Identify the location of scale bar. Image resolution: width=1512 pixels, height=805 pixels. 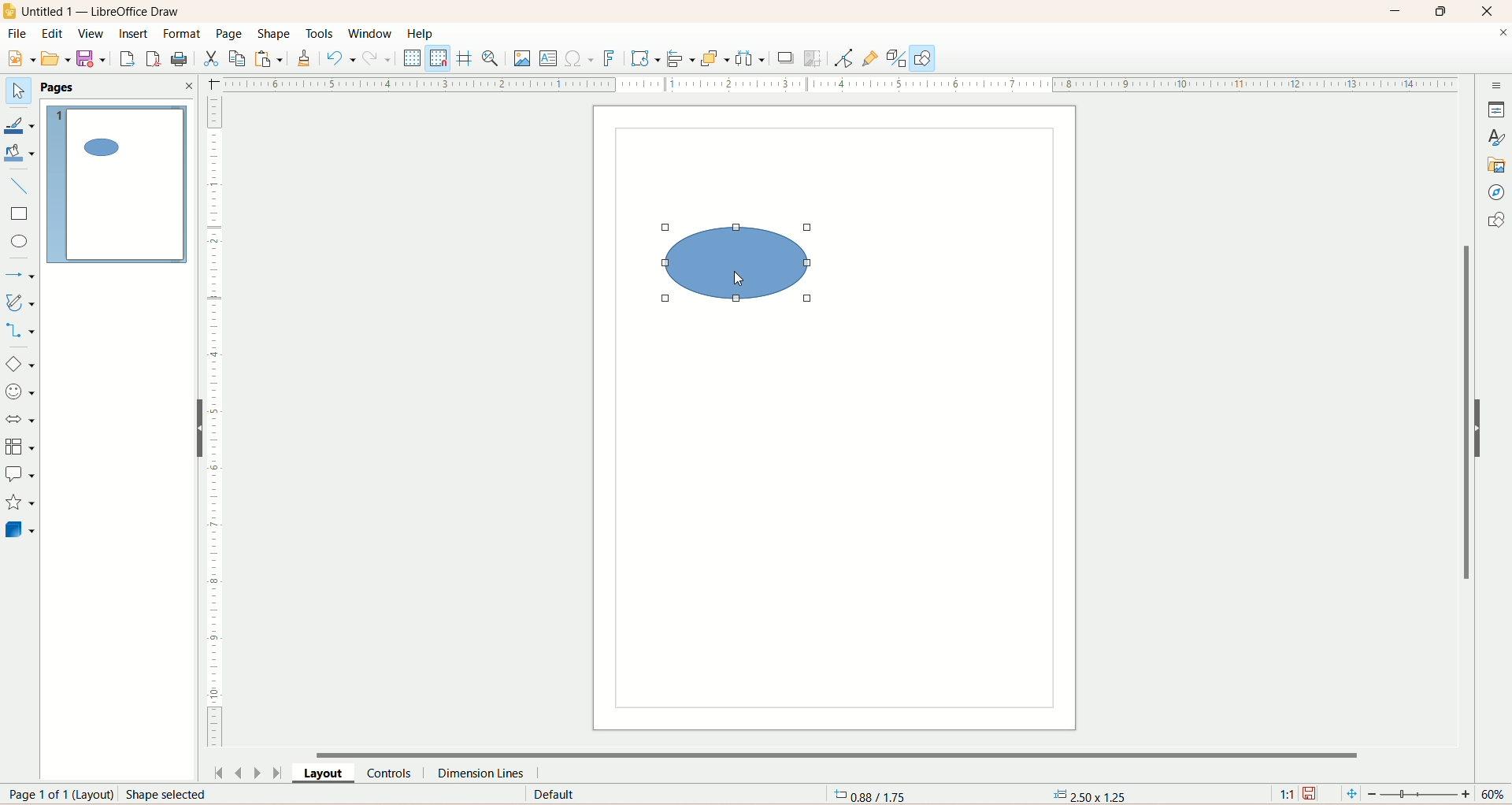
(215, 423).